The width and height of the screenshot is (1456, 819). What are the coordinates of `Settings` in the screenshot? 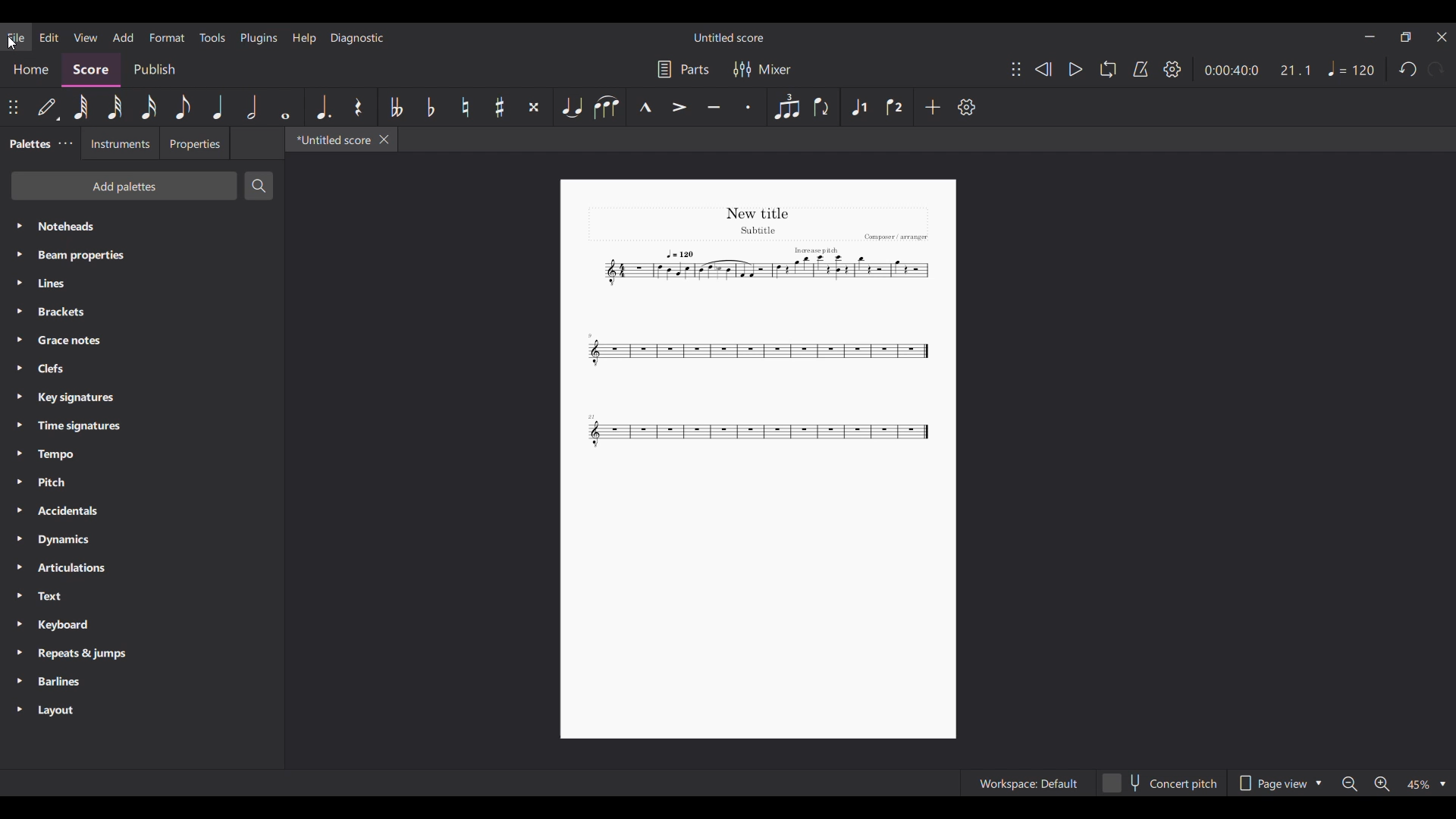 It's located at (1172, 69).